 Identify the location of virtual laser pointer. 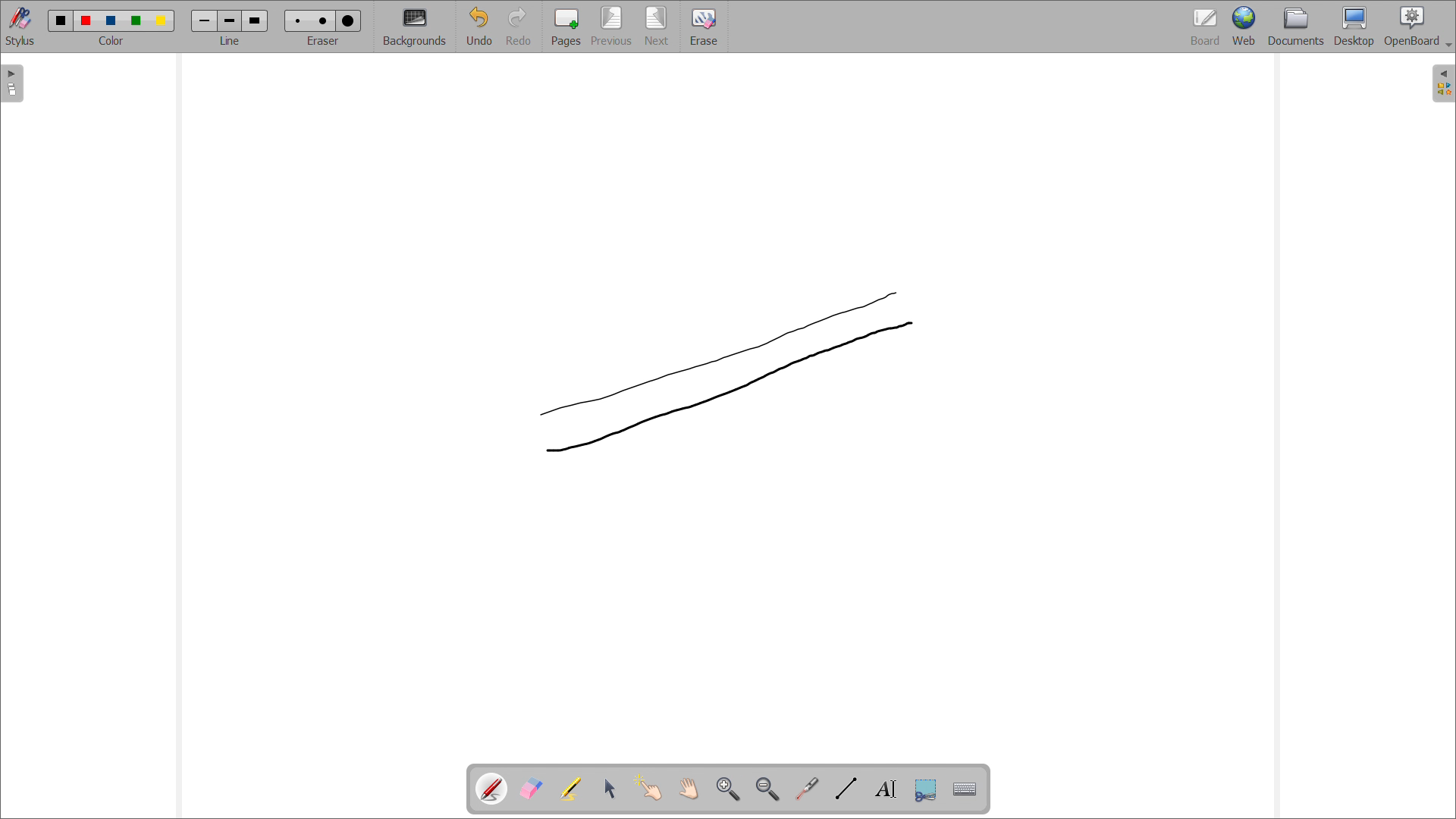
(808, 787).